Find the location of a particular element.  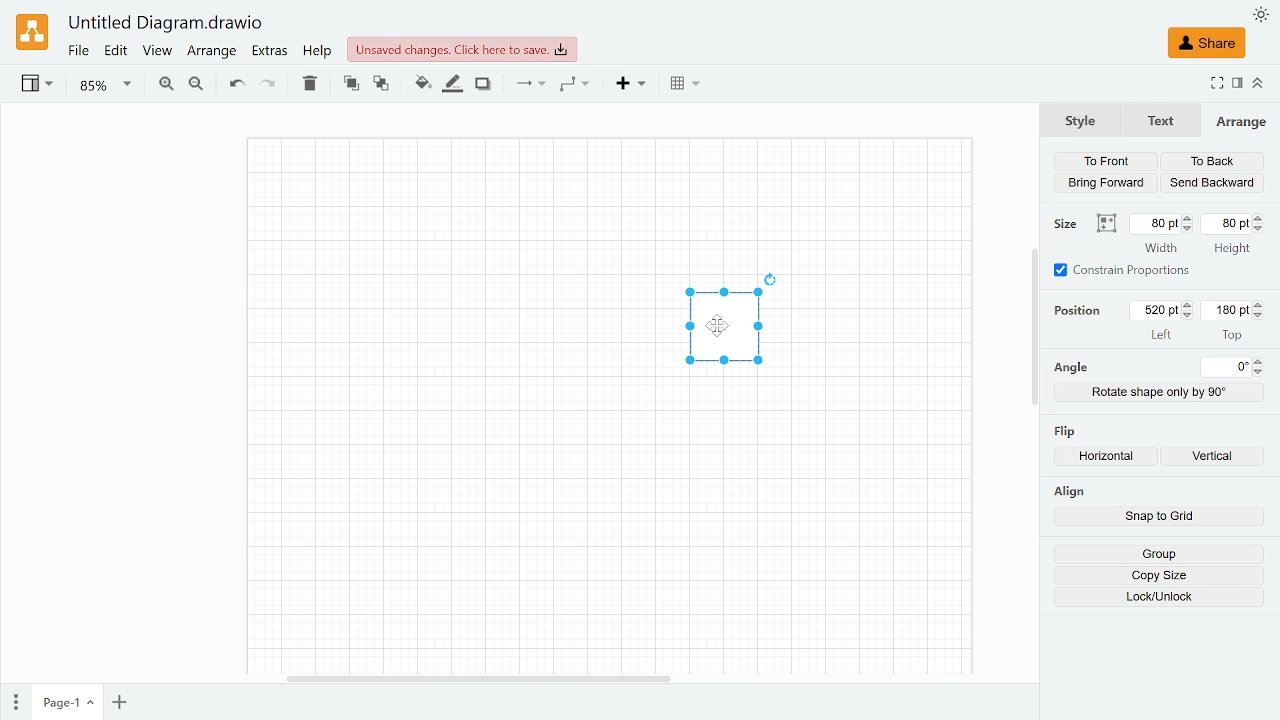

Insert is located at coordinates (633, 85).